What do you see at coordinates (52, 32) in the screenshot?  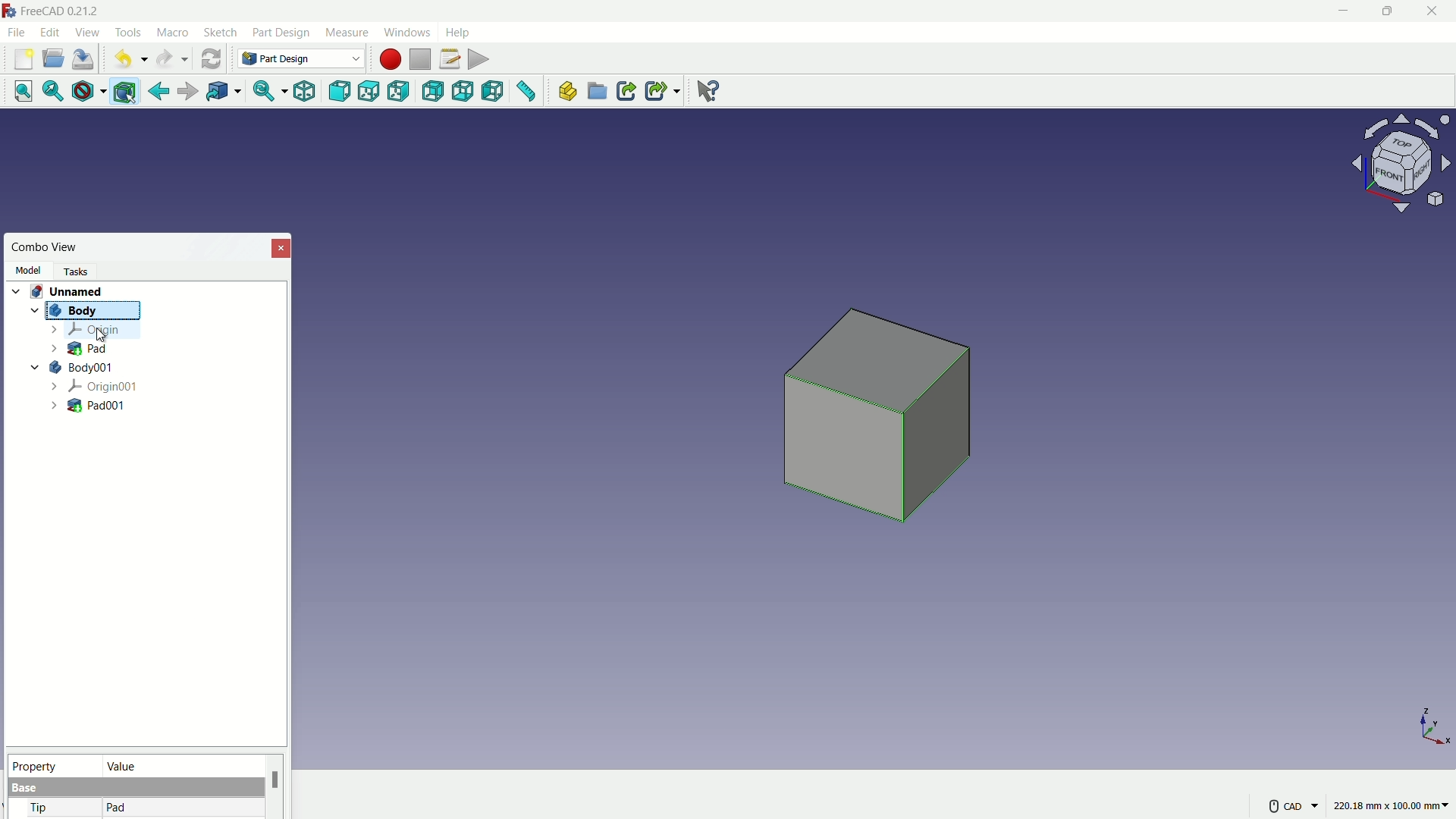 I see `edit` at bounding box center [52, 32].